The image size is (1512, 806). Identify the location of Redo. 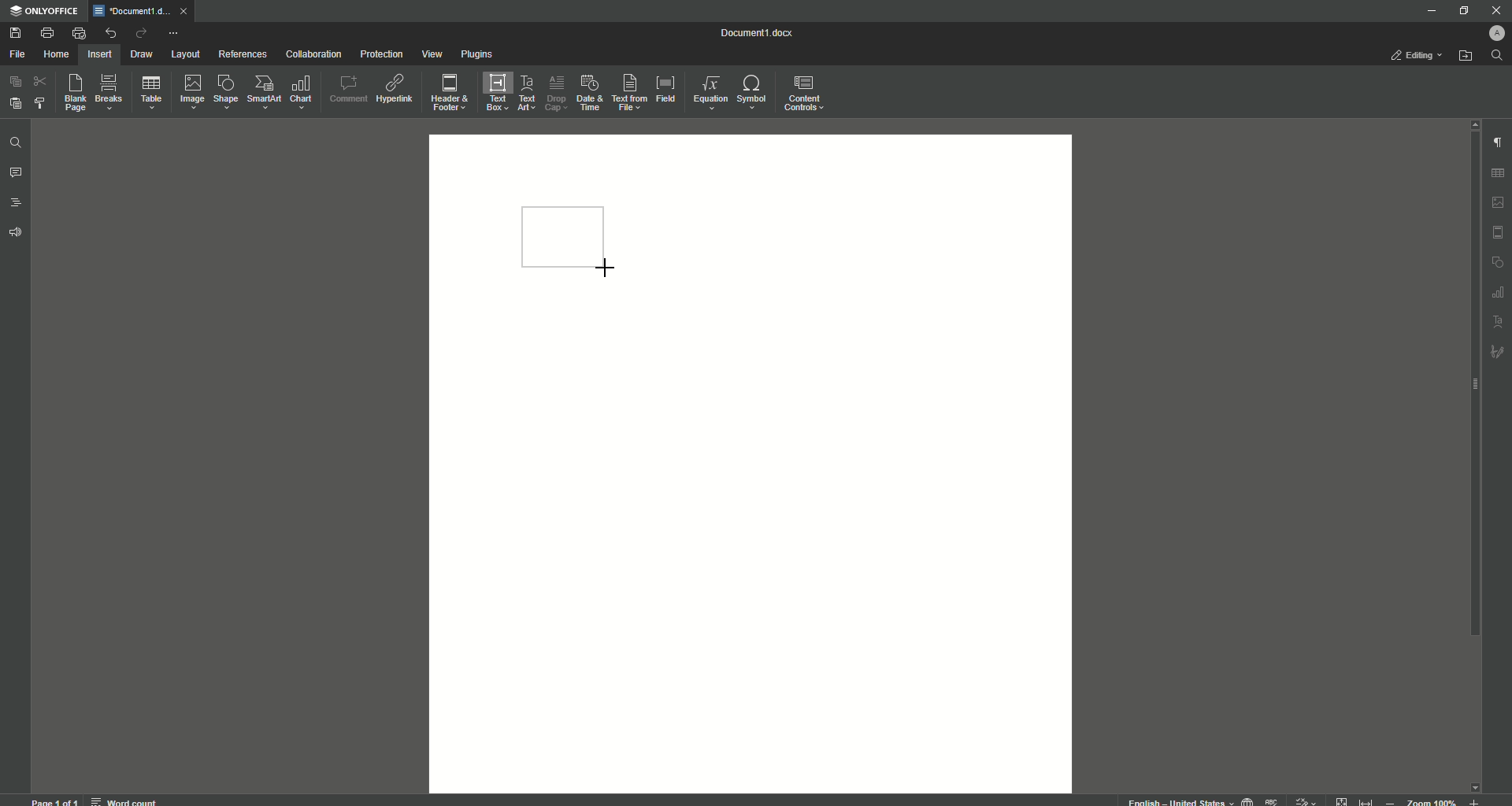
(140, 35).